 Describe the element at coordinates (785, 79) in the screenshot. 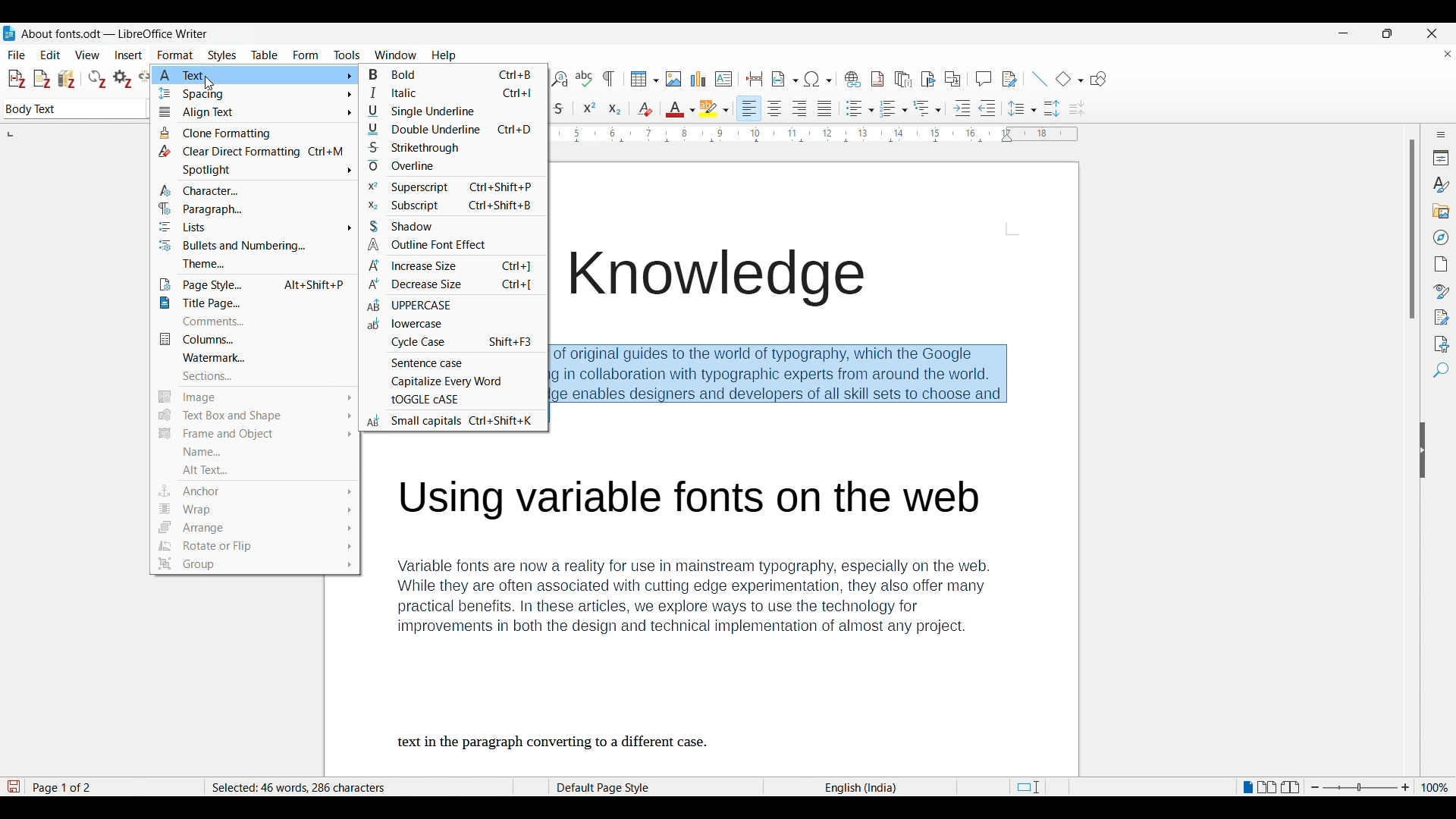

I see `Insert field` at that location.